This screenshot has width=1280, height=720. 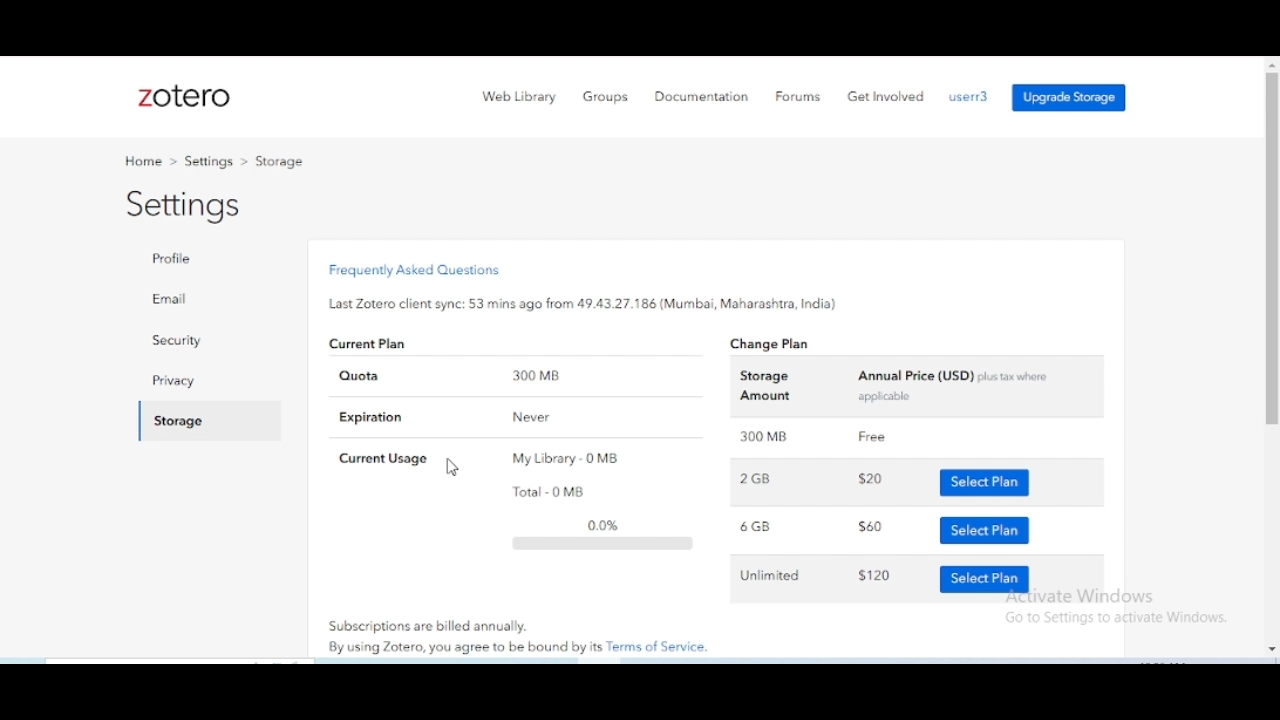 What do you see at coordinates (986, 530) in the screenshot?
I see `select plan` at bounding box center [986, 530].